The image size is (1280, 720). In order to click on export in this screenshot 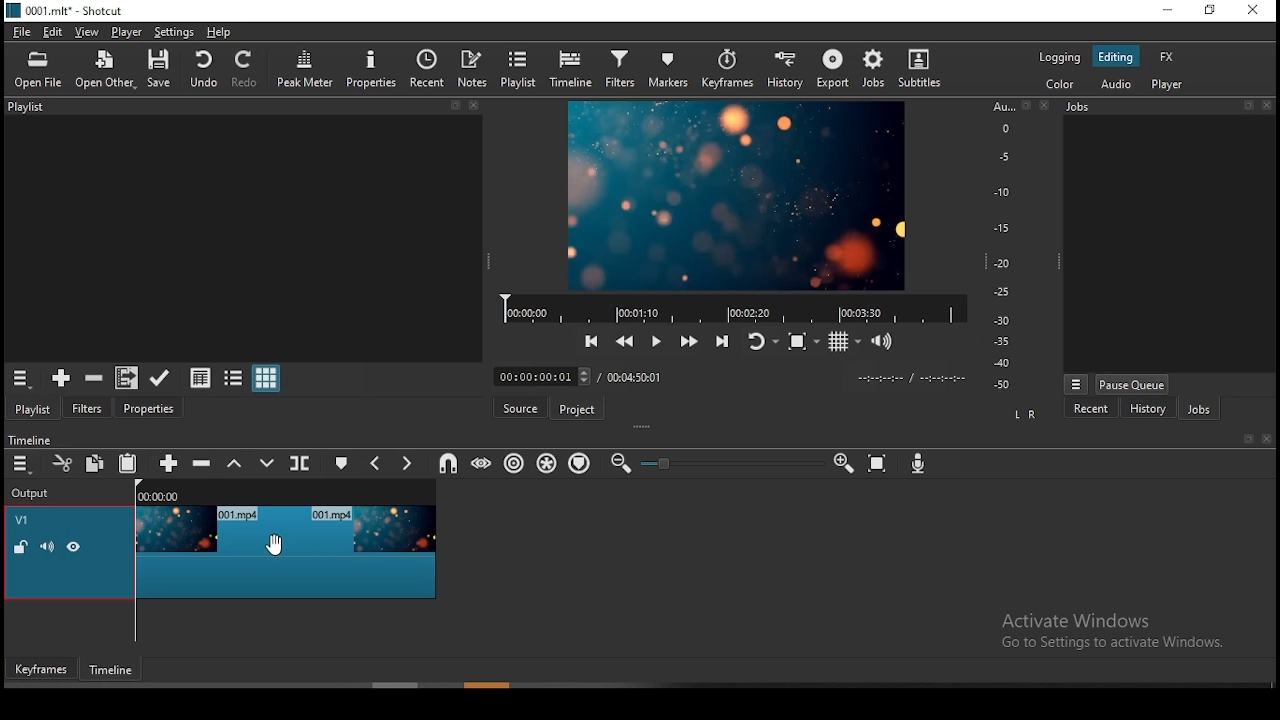, I will do `click(832, 69)`.